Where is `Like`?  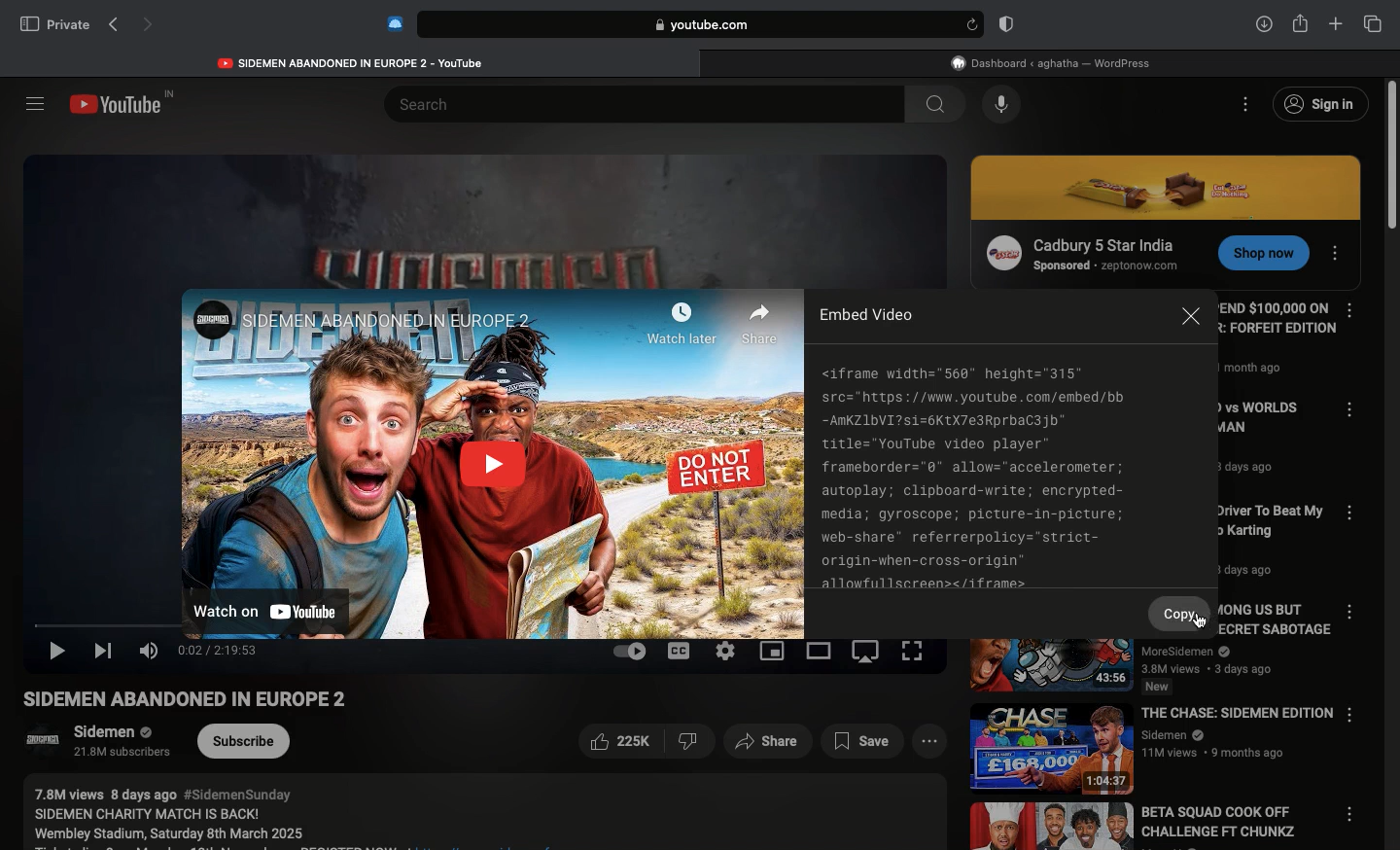
Like is located at coordinates (645, 743).